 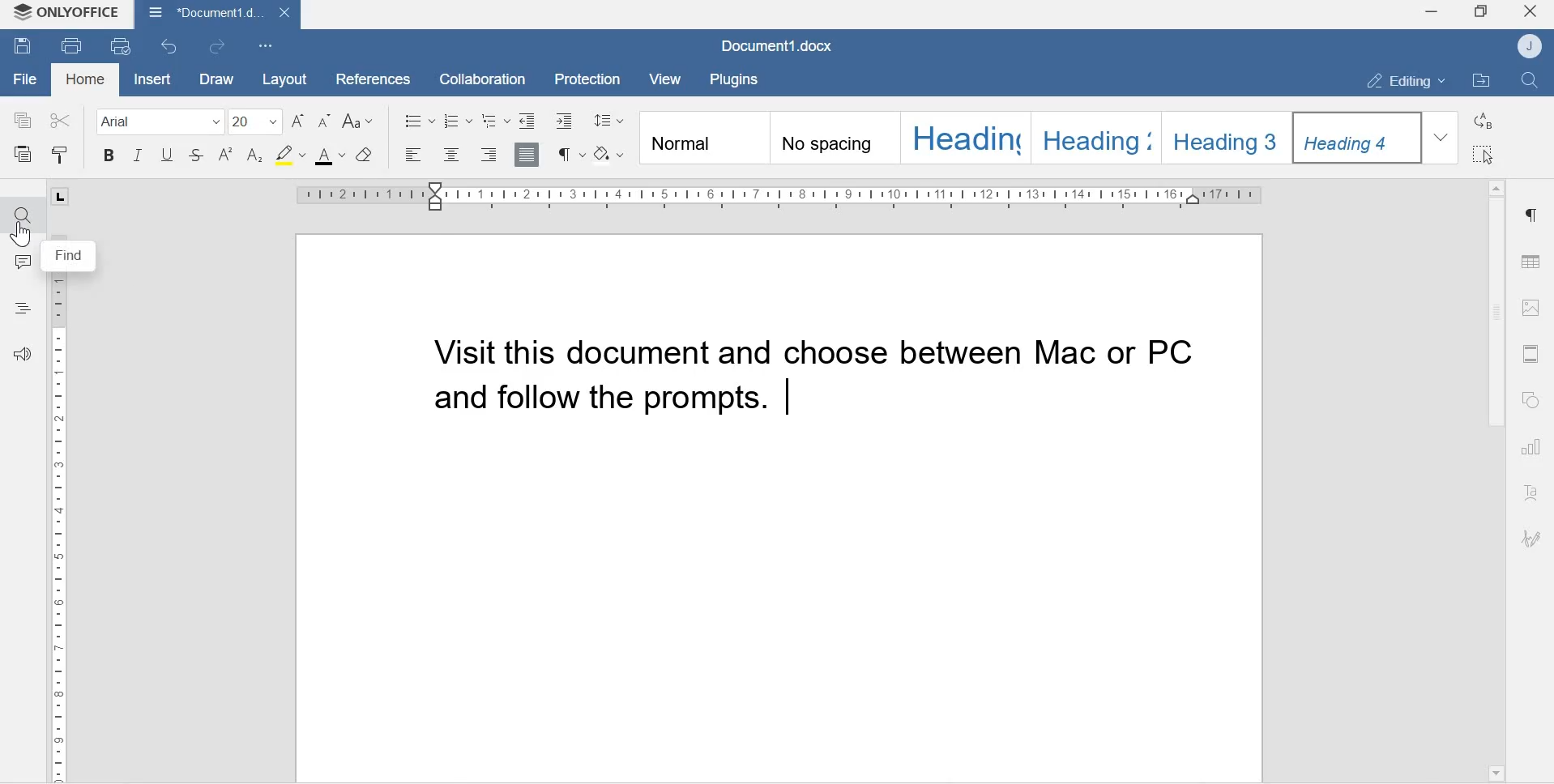 I want to click on Align center, so click(x=450, y=156).